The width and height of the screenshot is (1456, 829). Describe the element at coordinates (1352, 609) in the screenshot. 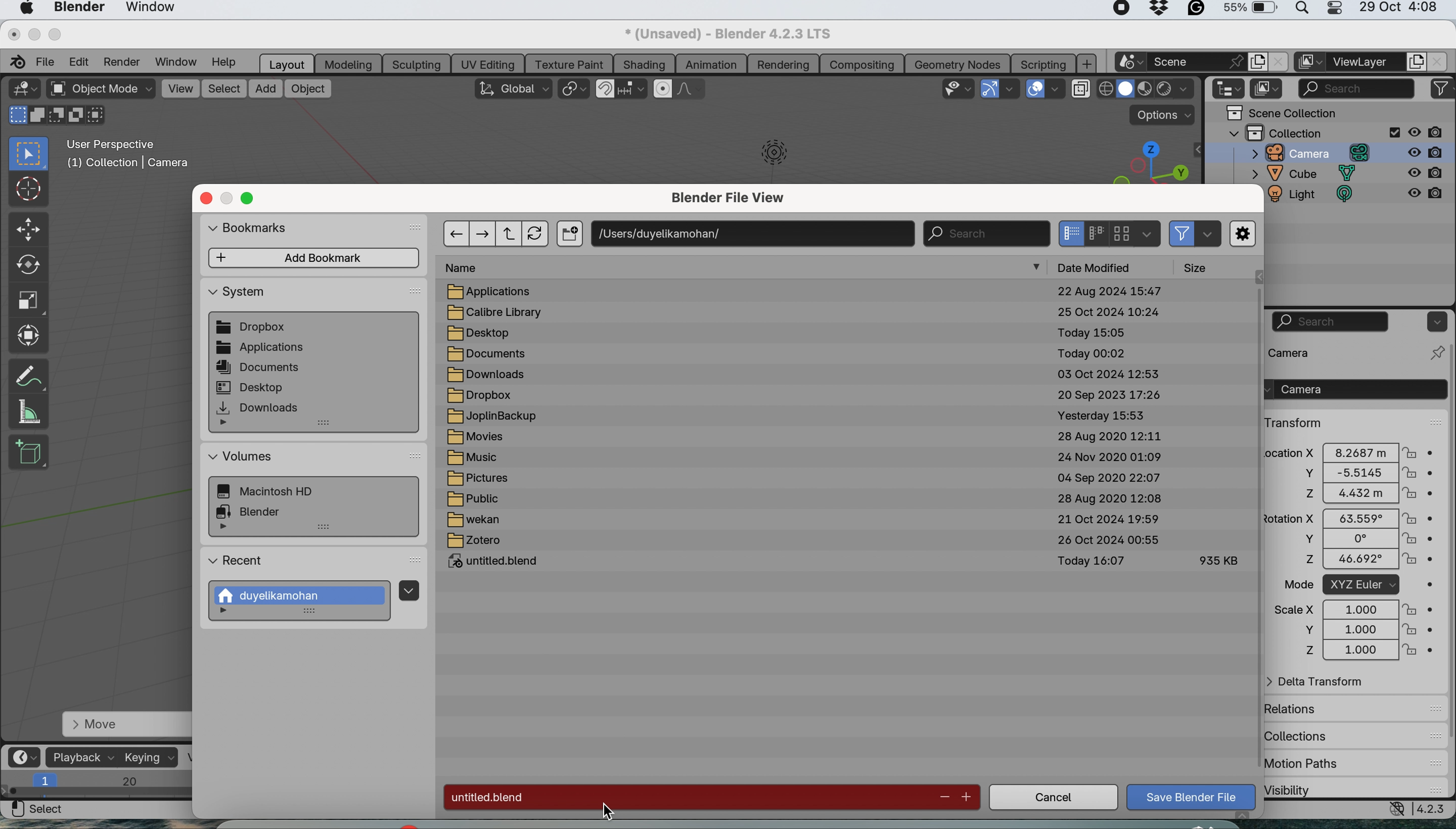

I see `scale x 1.000` at that location.